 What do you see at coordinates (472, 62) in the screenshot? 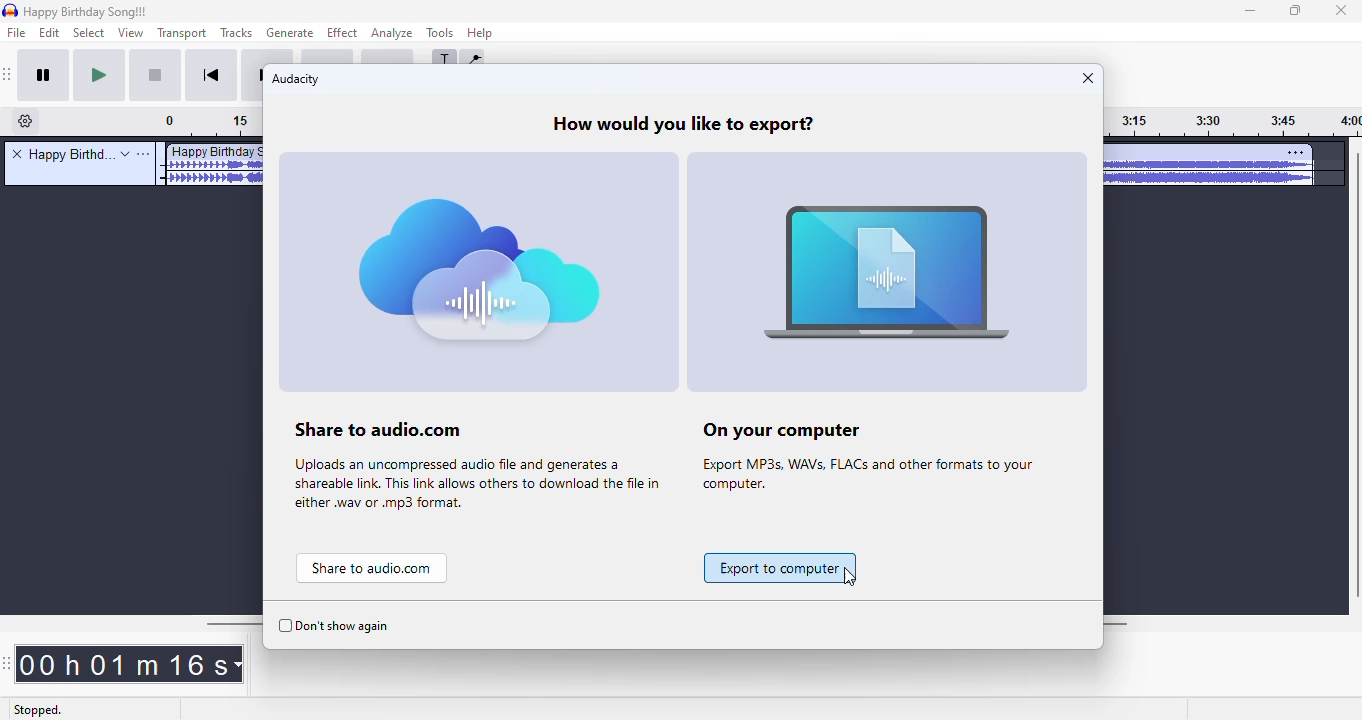
I see `envelope tool` at bounding box center [472, 62].